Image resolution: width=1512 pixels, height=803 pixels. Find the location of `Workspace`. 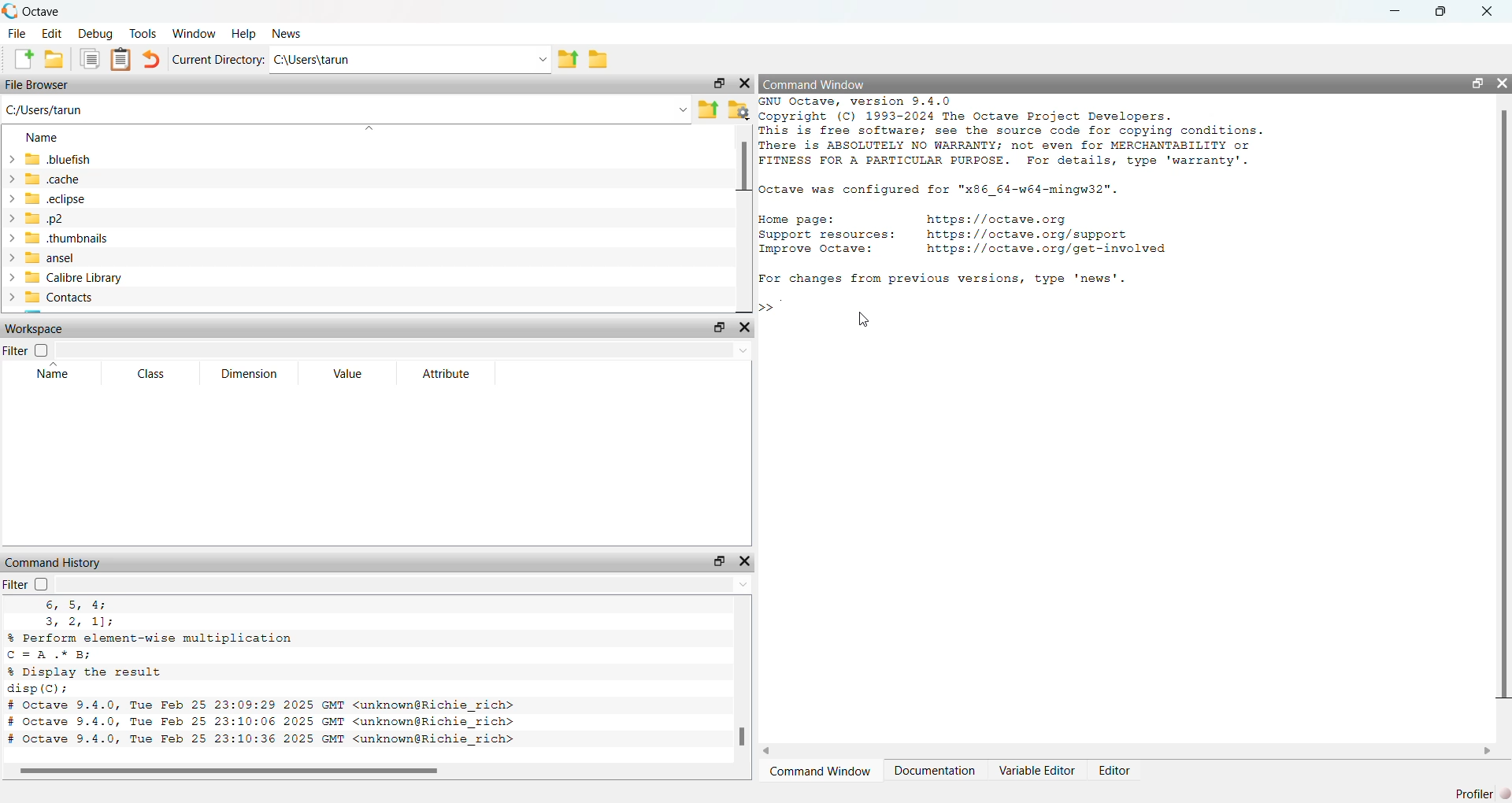

Workspace is located at coordinates (35, 327).